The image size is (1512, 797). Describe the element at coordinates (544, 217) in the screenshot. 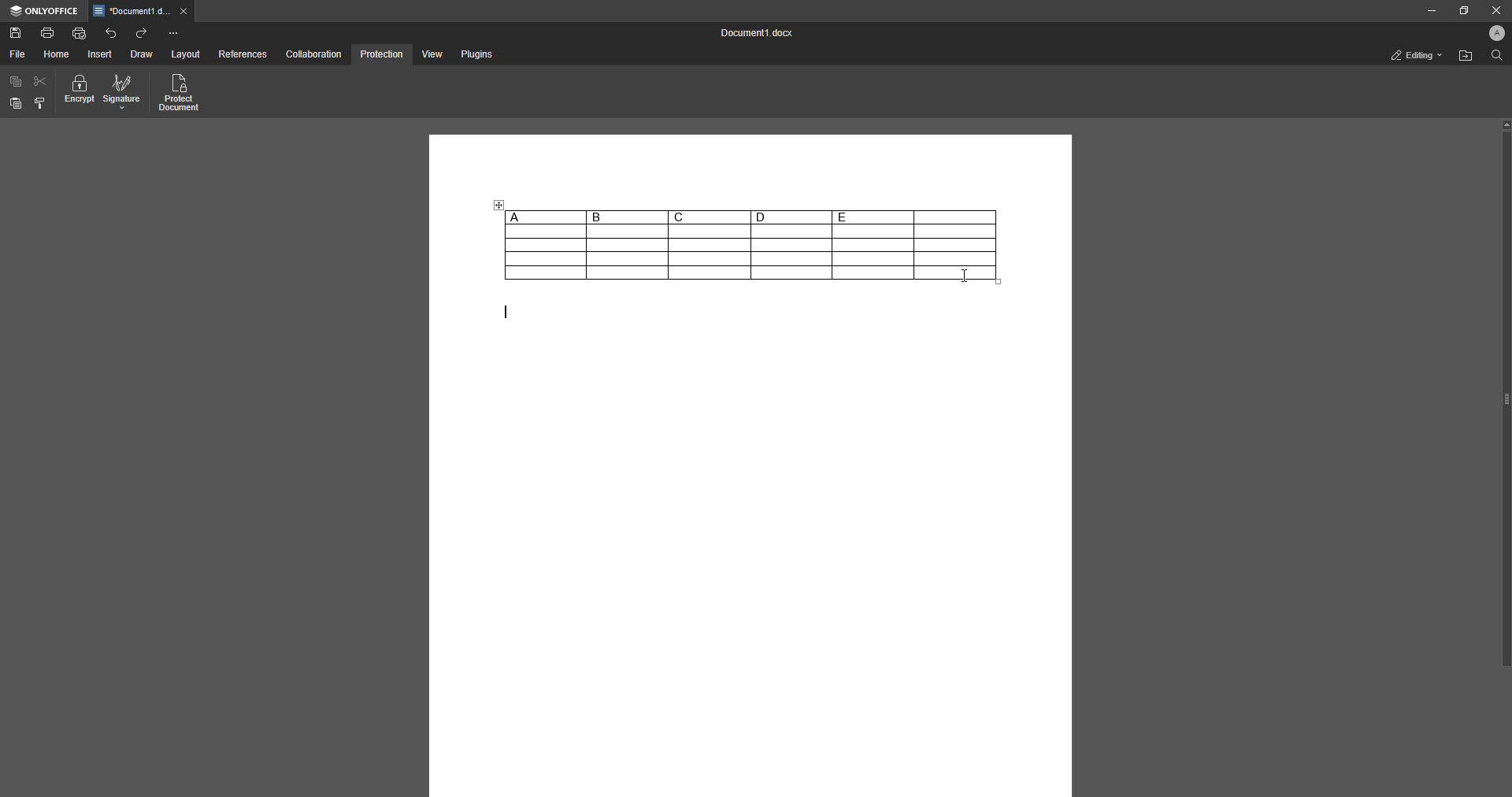

I see `A` at that location.